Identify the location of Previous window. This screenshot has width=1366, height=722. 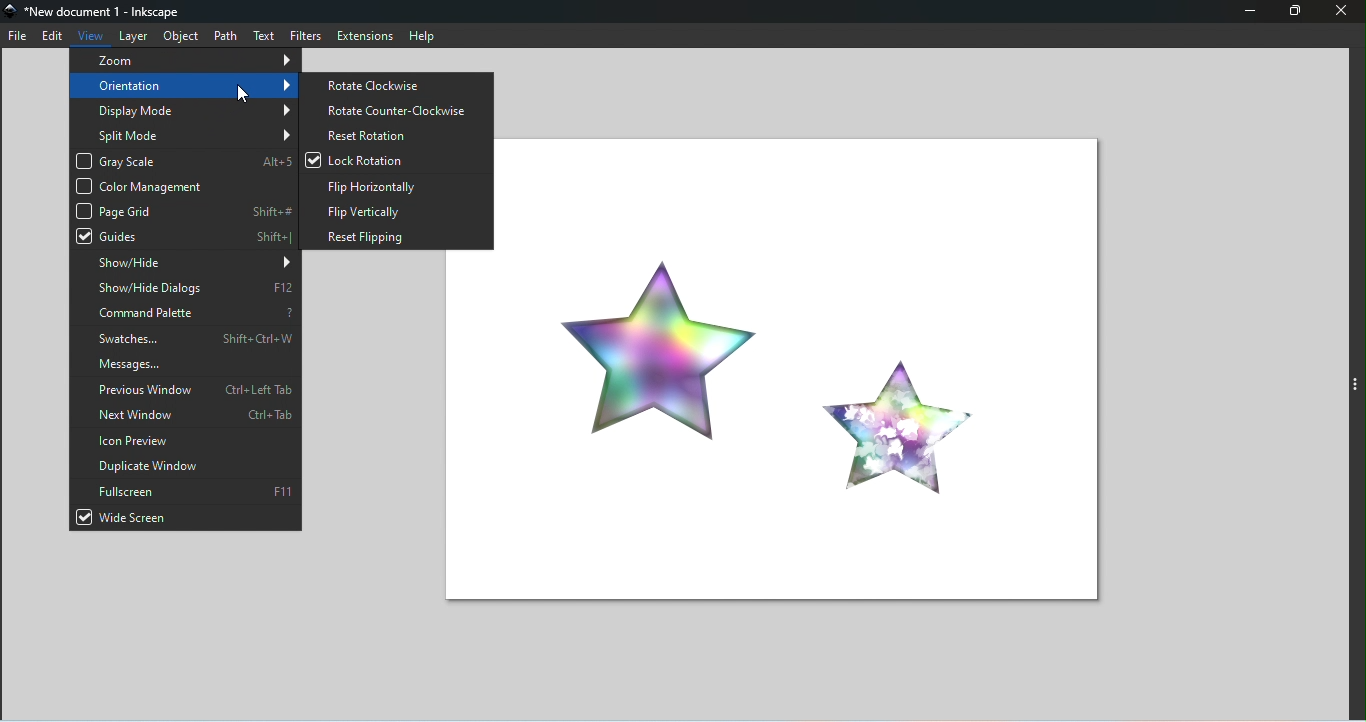
(185, 390).